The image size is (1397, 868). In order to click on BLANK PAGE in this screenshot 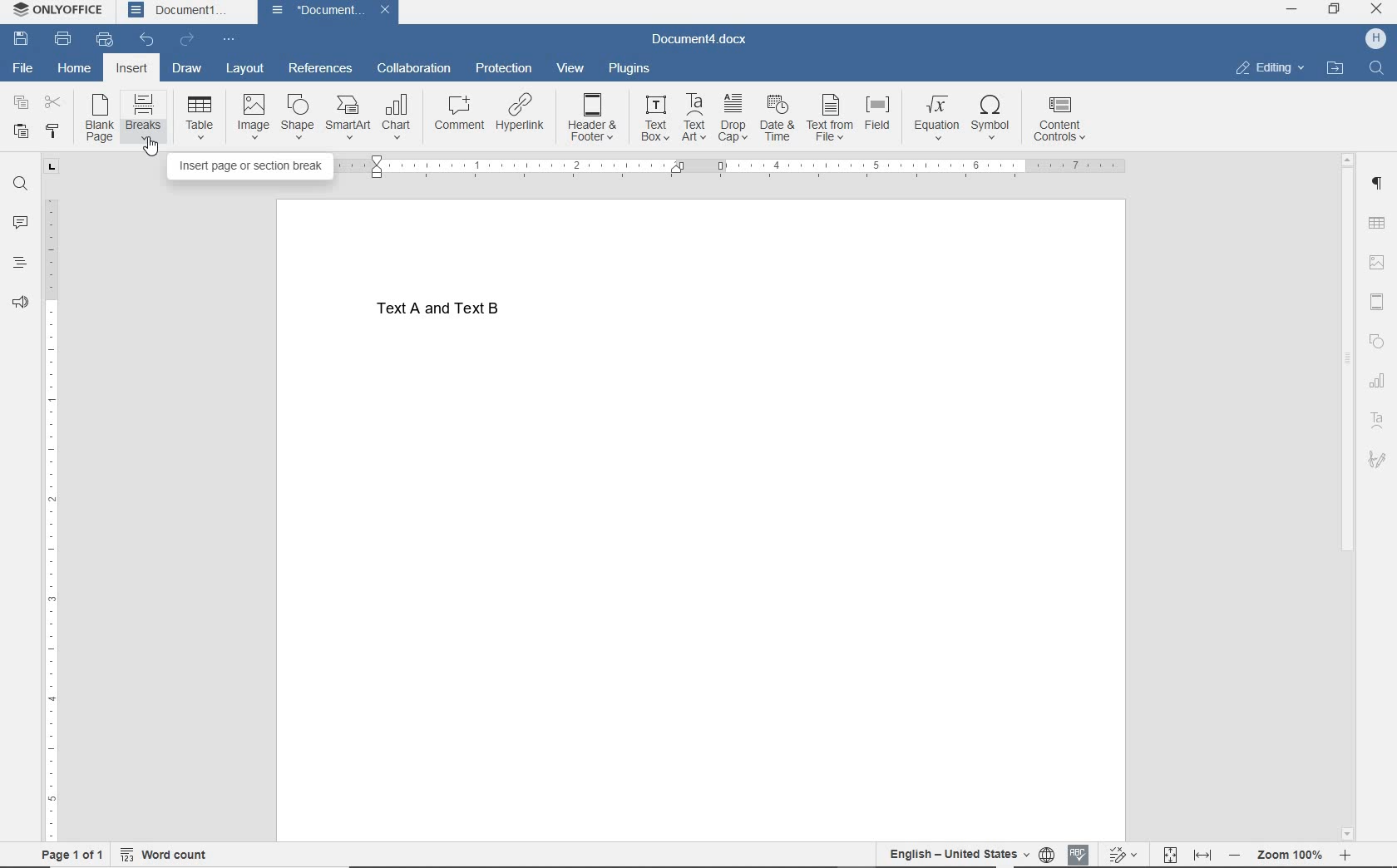, I will do `click(101, 119)`.